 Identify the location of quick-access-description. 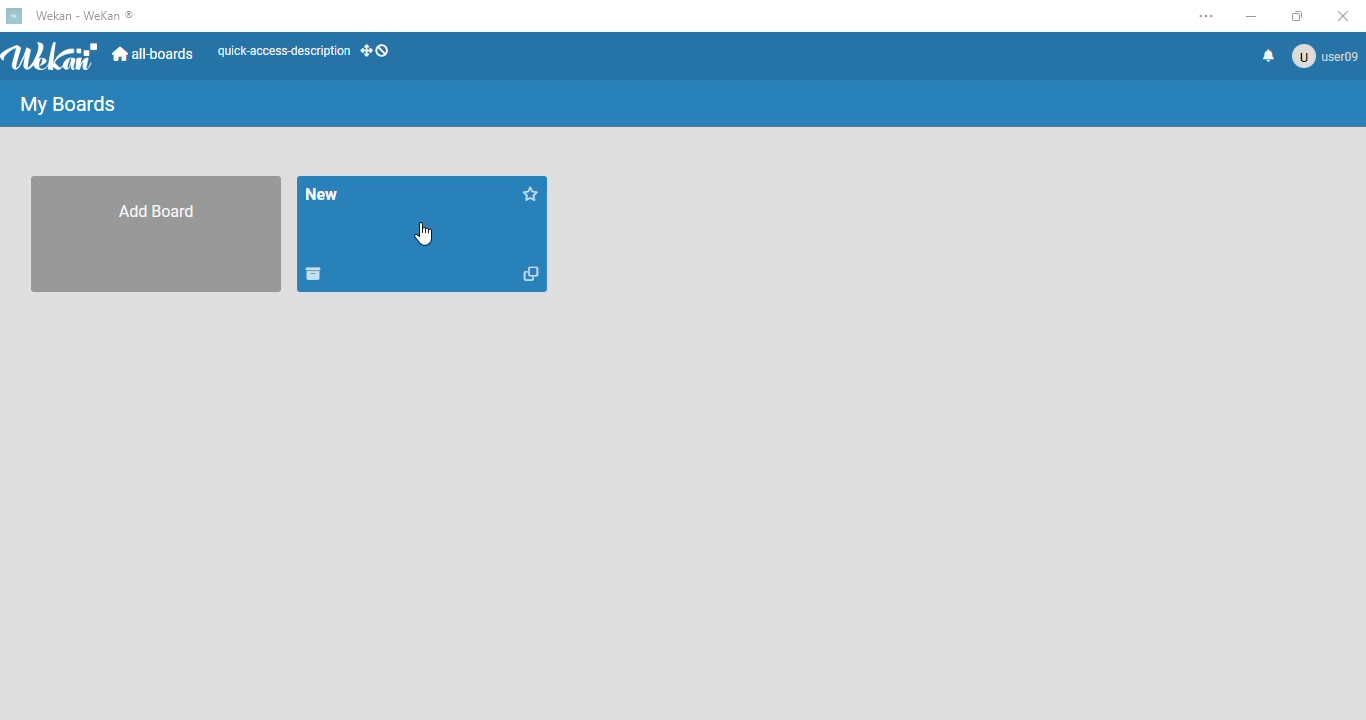
(284, 51).